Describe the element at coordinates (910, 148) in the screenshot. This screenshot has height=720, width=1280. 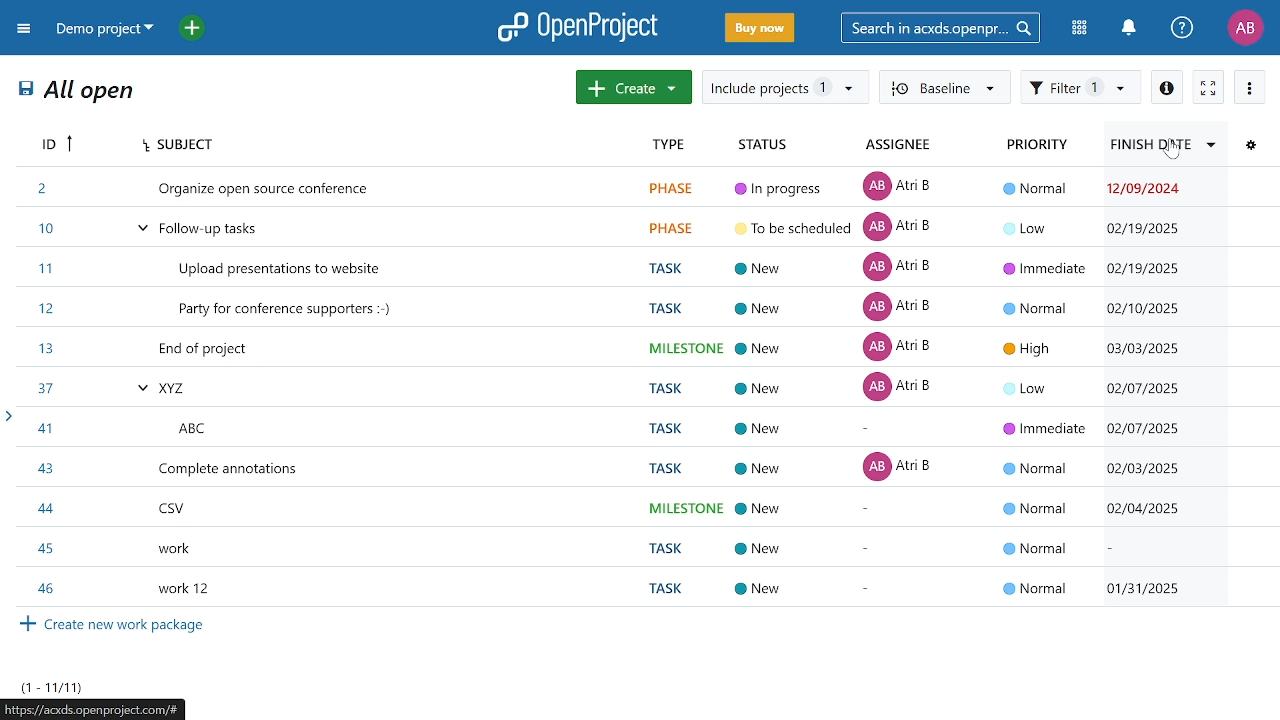
I see `assignee` at that location.